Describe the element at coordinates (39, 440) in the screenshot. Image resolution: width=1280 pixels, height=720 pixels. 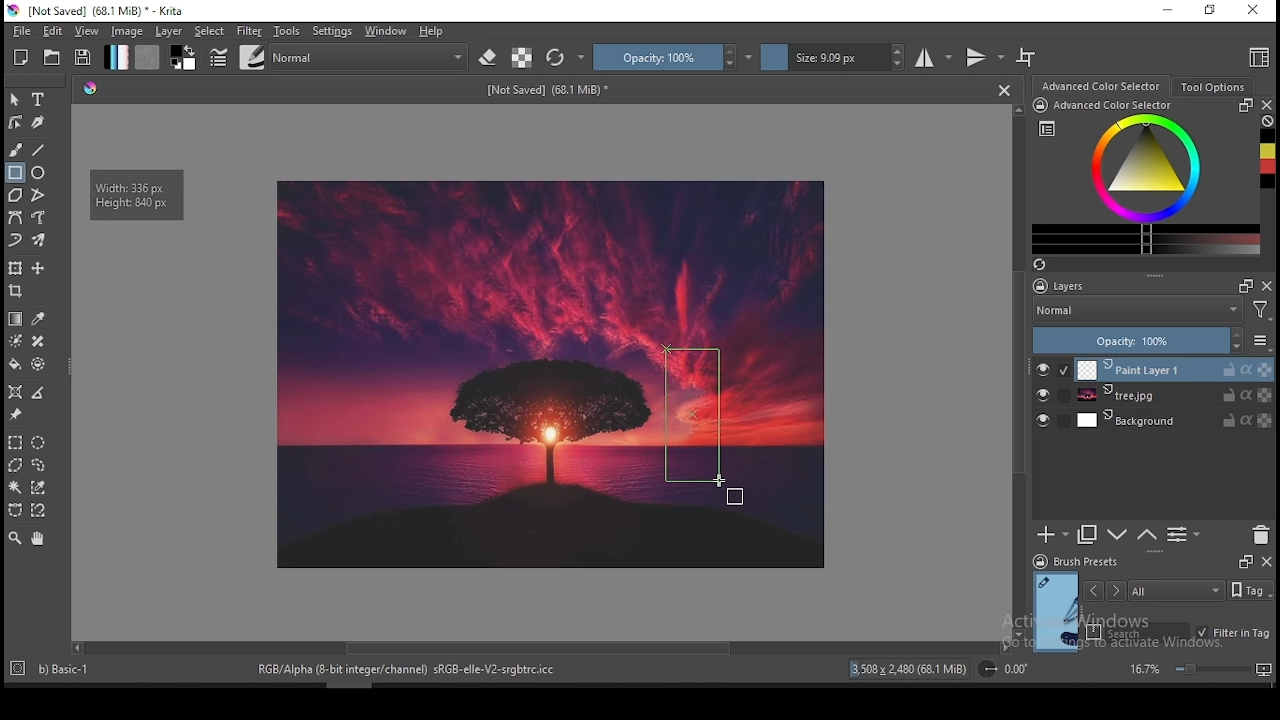
I see `elliptical selection tool` at that location.